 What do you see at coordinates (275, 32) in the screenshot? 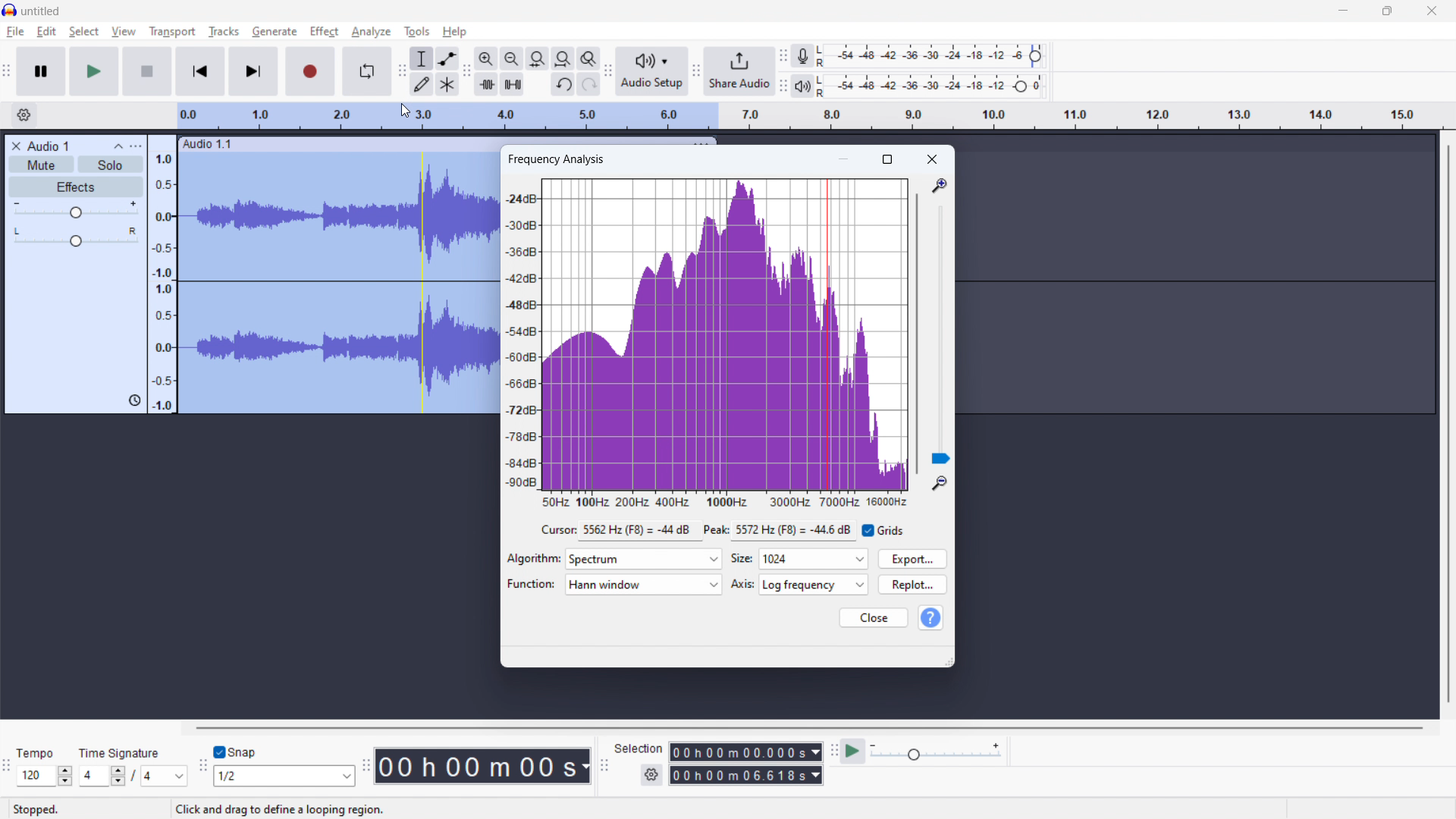
I see `generate` at bounding box center [275, 32].